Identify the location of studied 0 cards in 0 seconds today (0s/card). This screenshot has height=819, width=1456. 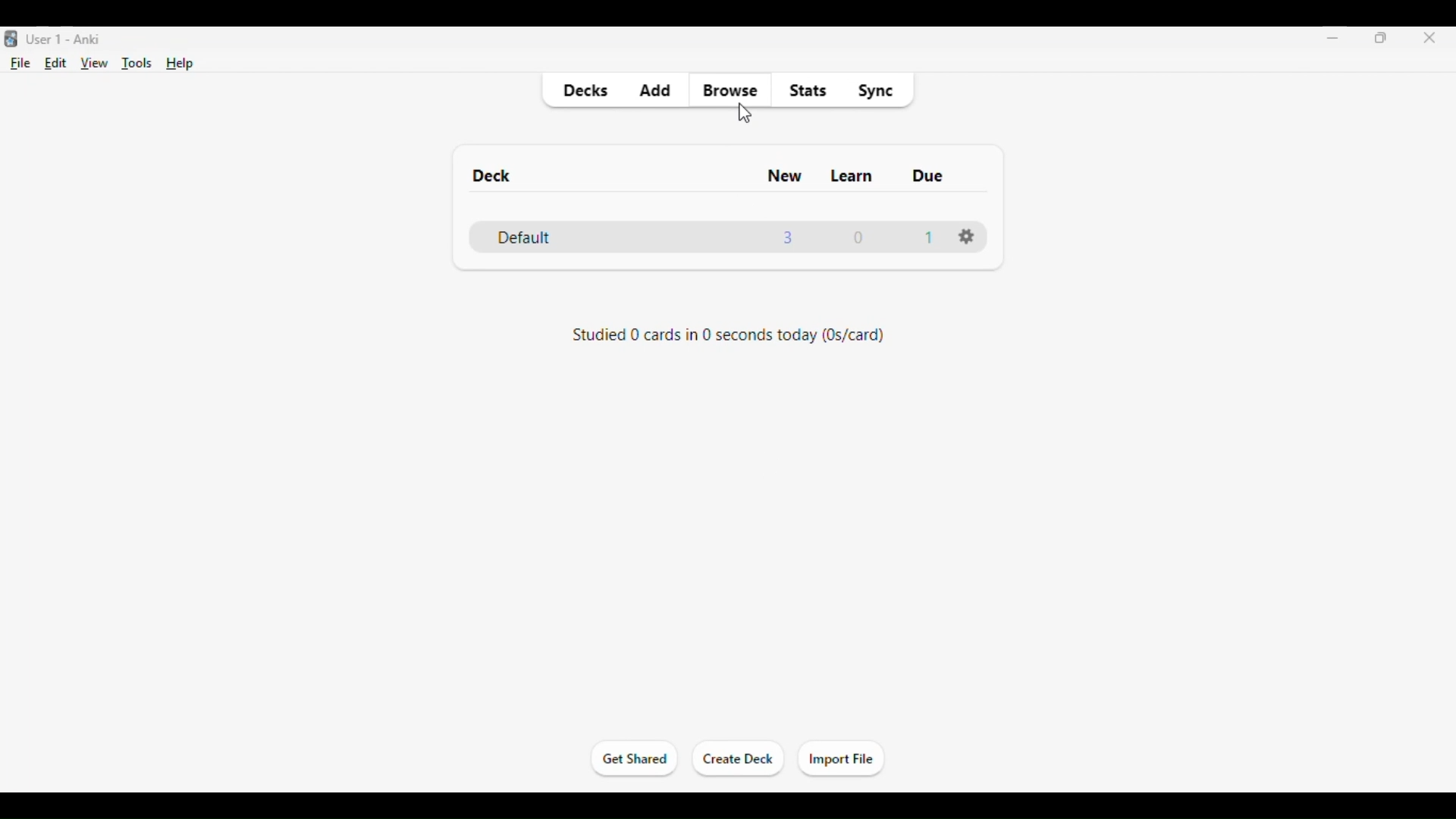
(725, 334).